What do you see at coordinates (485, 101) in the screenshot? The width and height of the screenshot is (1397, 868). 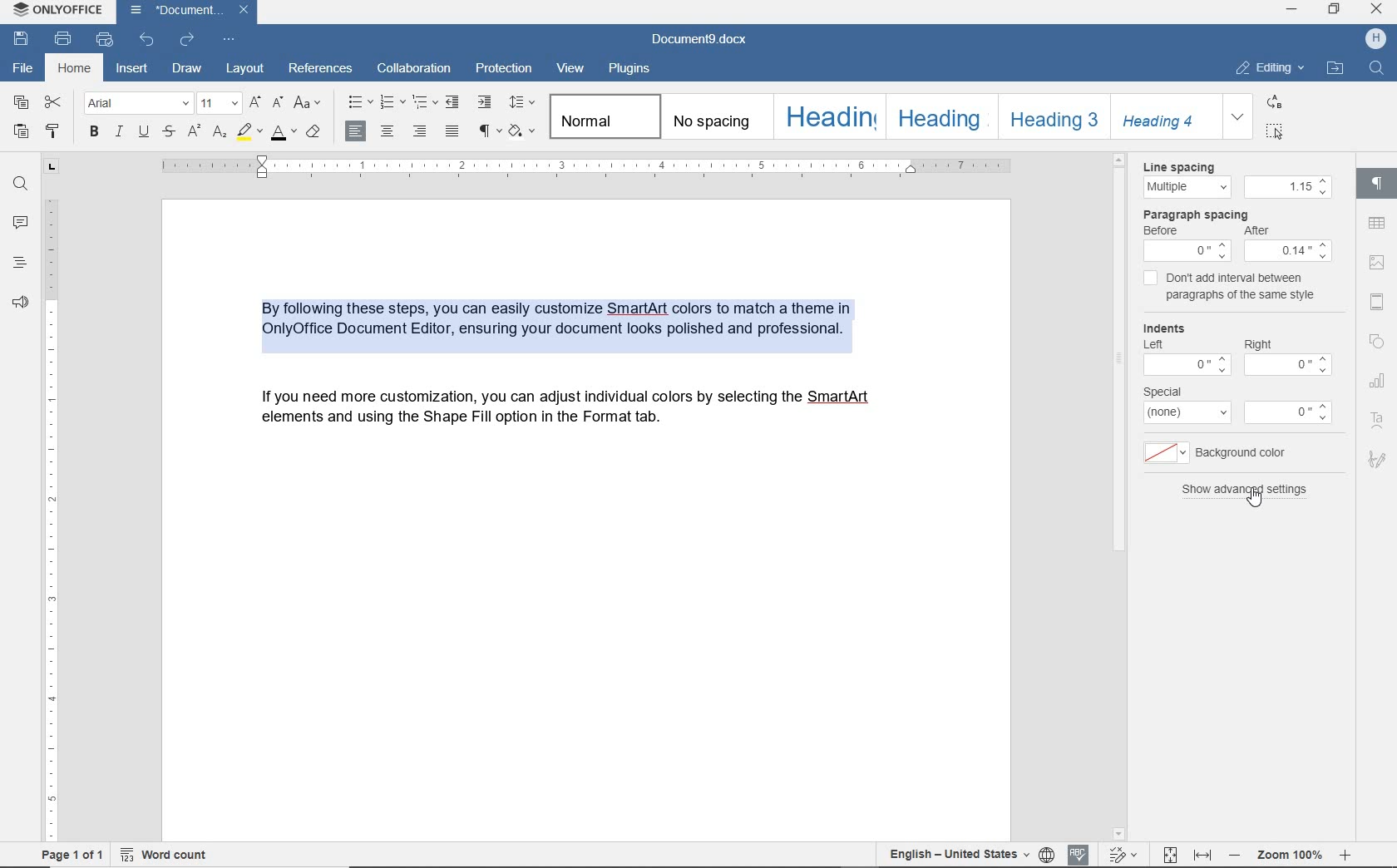 I see `increase indent` at bounding box center [485, 101].